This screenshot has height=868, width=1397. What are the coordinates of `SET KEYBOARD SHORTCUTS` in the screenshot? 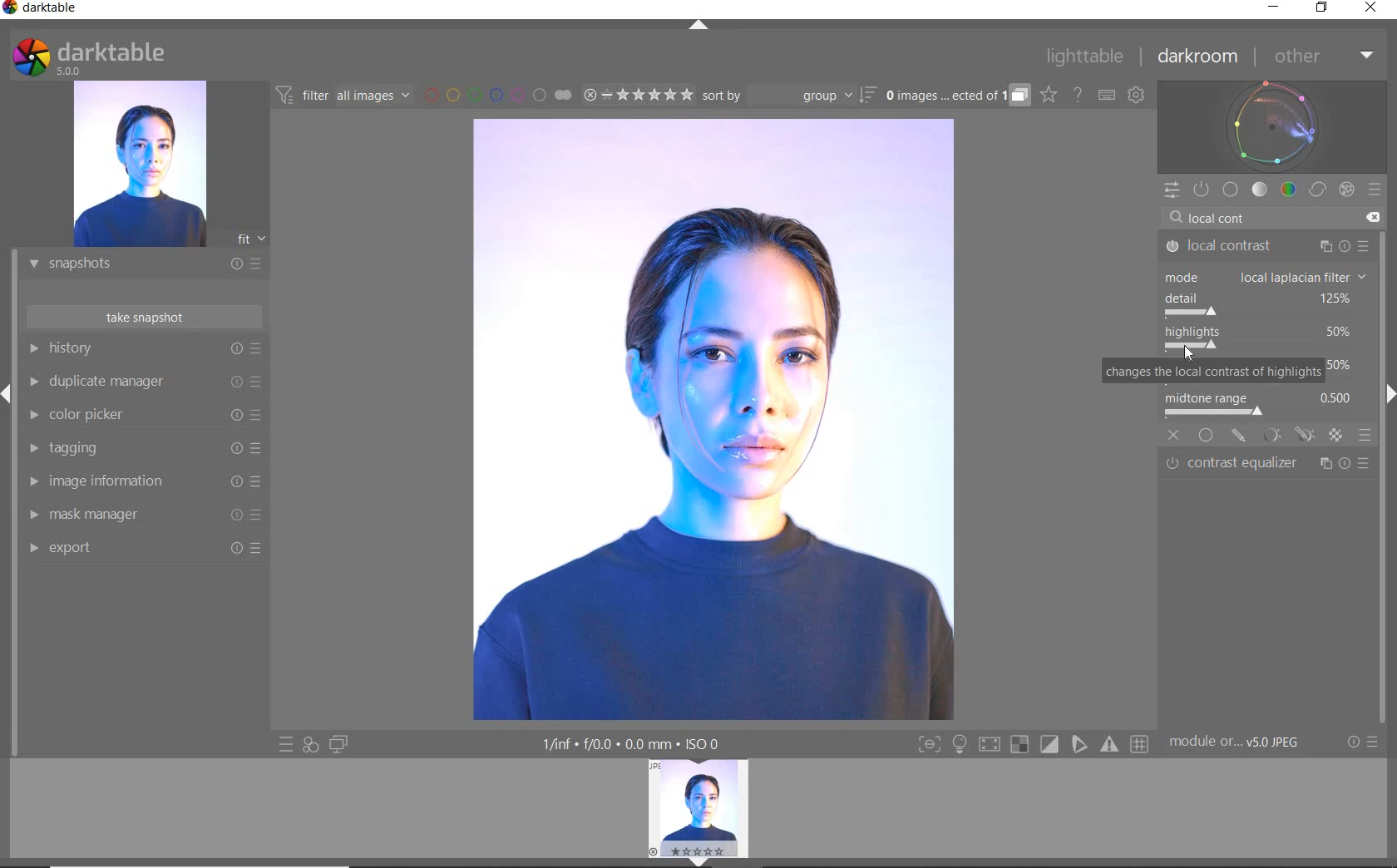 It's located at (1107, 95).